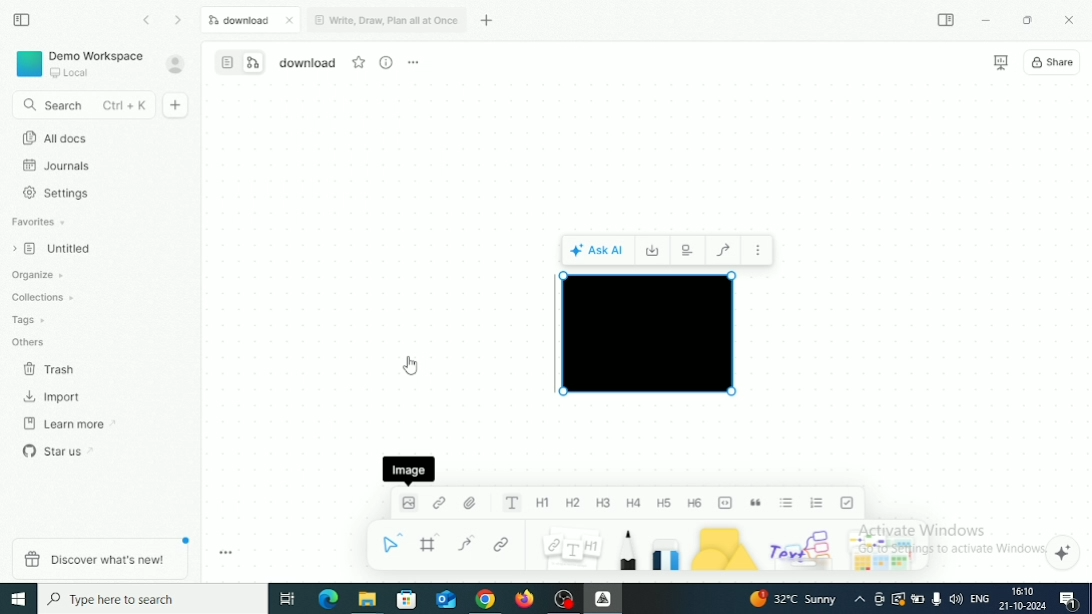 This screenshot has height=614, width=1092. Describe the element at coordinates (326, 600) in the screenshot. I see `Microsoft Edge` at that location.